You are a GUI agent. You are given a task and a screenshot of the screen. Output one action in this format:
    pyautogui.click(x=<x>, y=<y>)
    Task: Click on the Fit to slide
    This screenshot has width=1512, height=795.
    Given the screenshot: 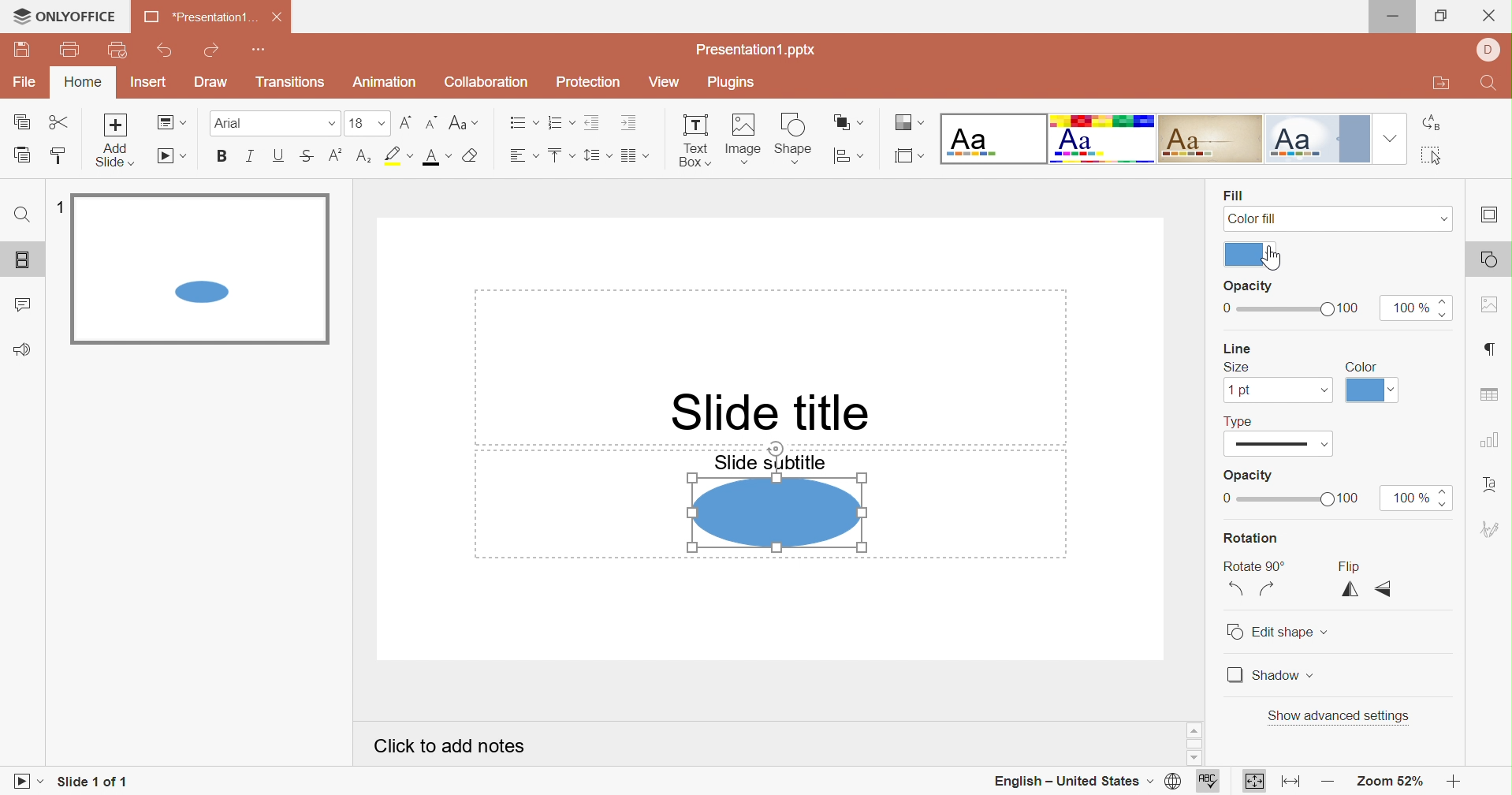 What is the action you would take?
    pyautogui.click(x=1255, y=782)
    